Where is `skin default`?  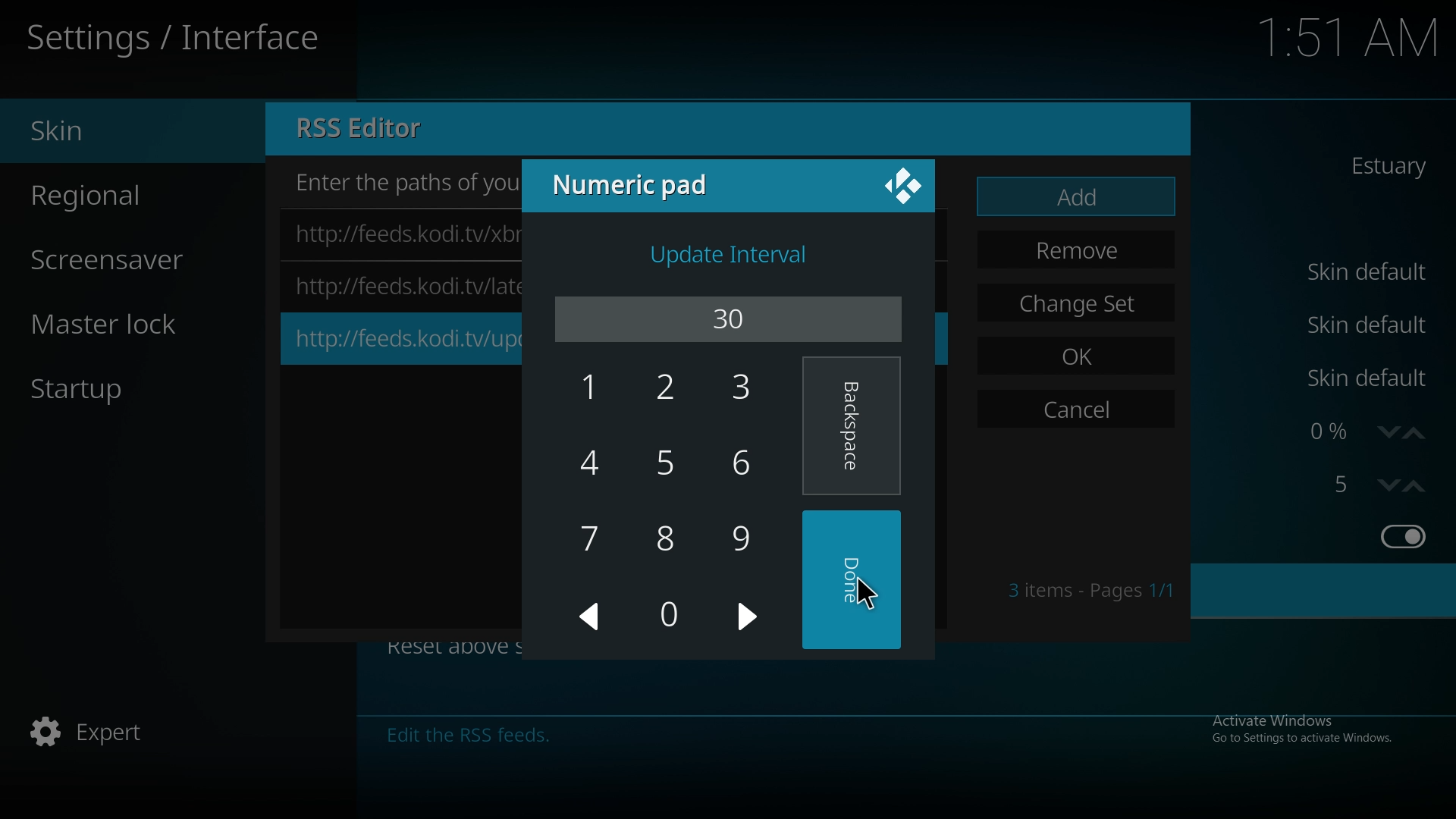
skin default is located at coordinates (1370, 378).